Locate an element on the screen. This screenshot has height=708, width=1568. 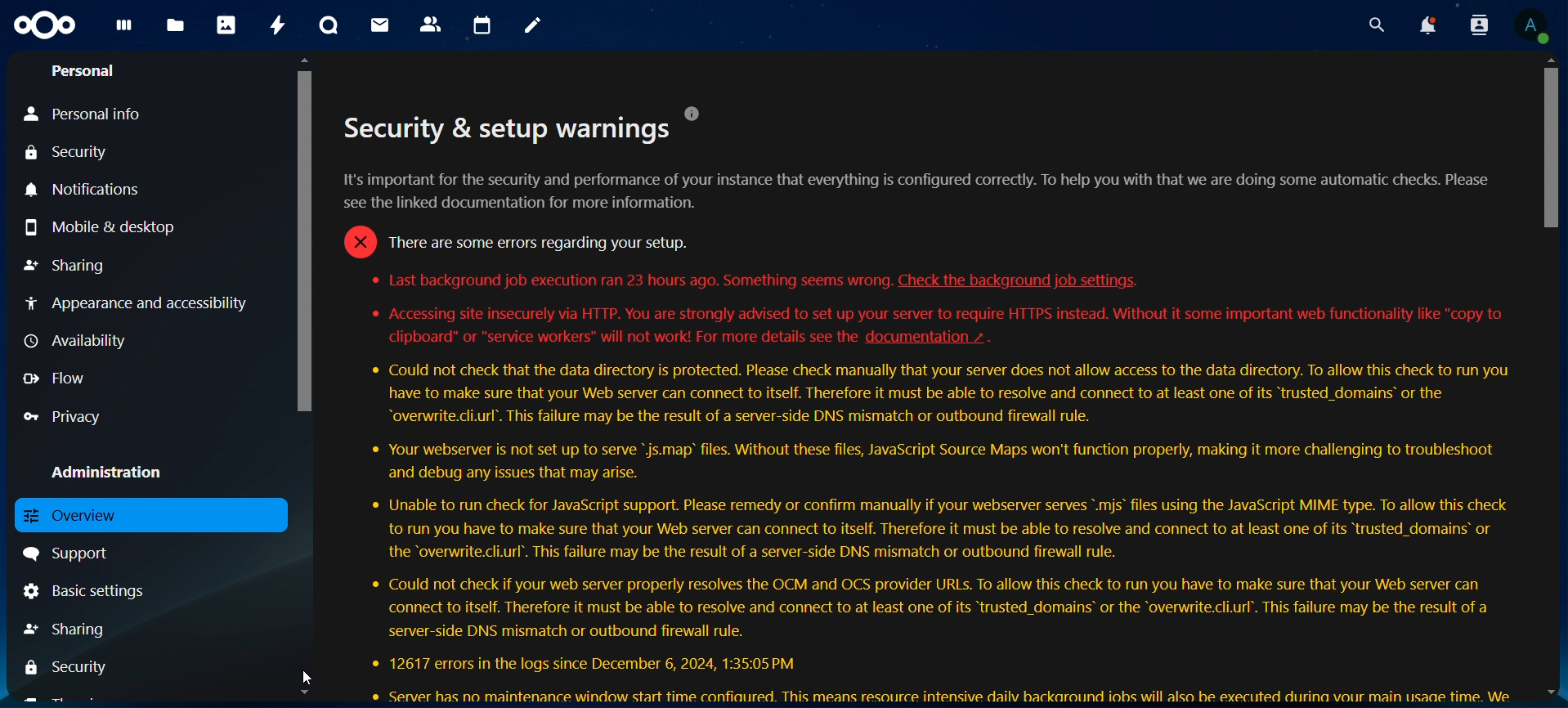
notifications is located at coordinates (102, 191).